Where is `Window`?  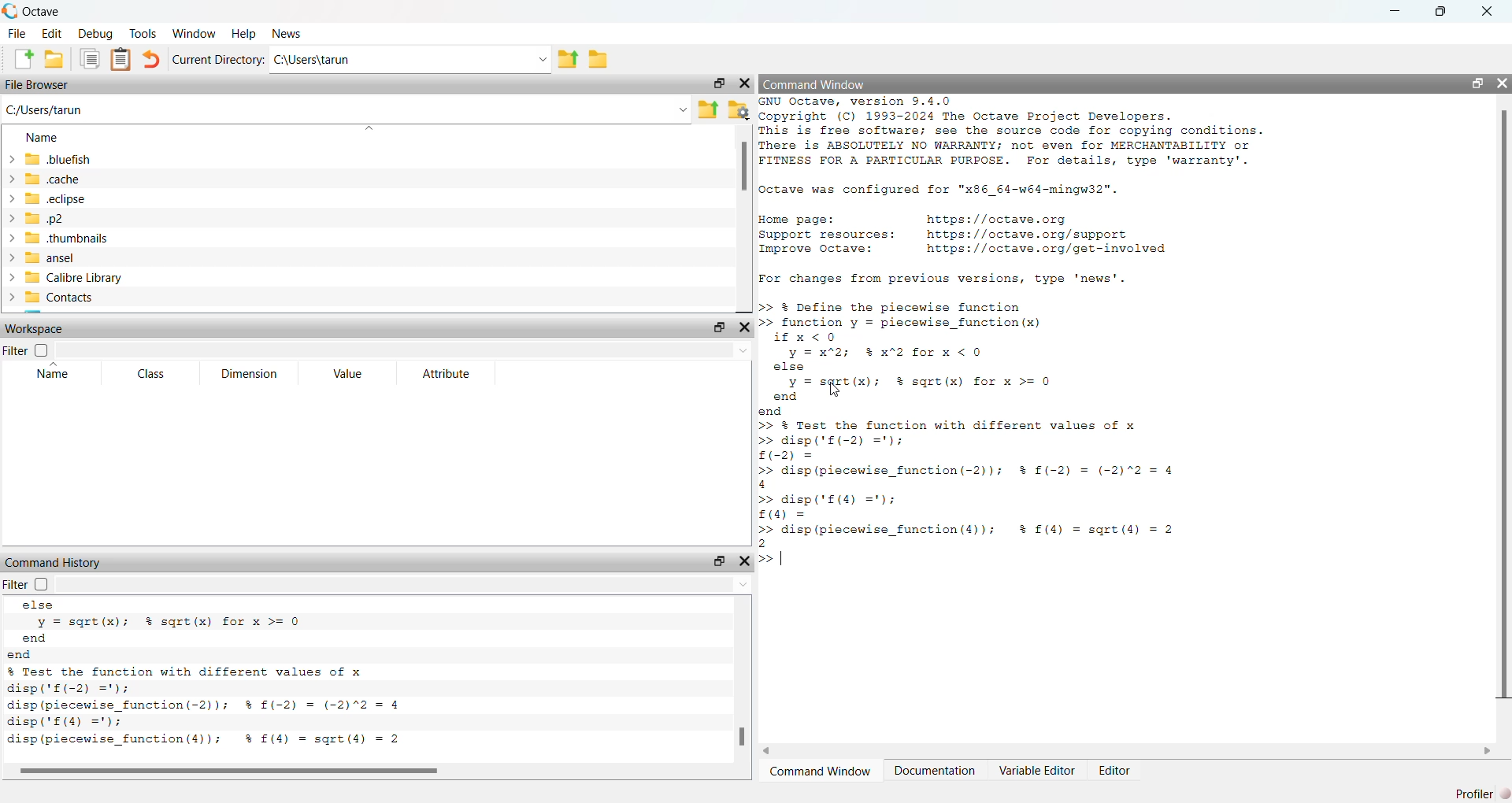 Window is located at coordinates (195, 32).